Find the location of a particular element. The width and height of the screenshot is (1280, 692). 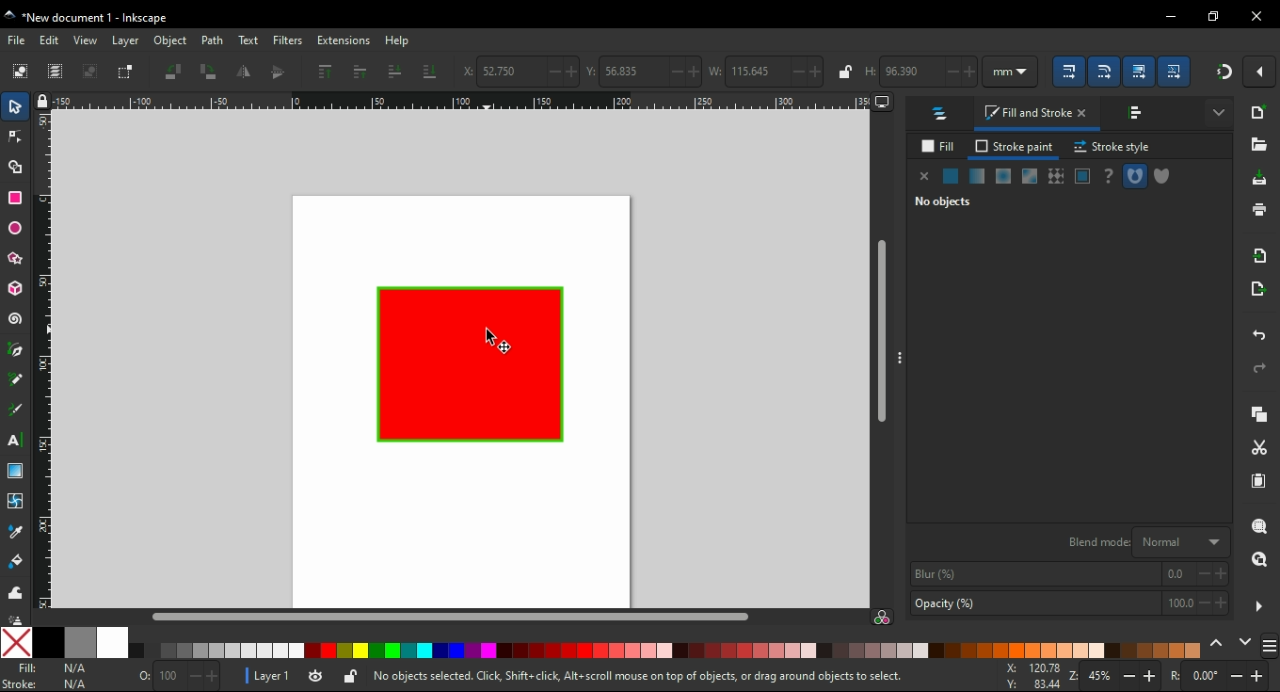

logo is located at coordinates (10, 15).